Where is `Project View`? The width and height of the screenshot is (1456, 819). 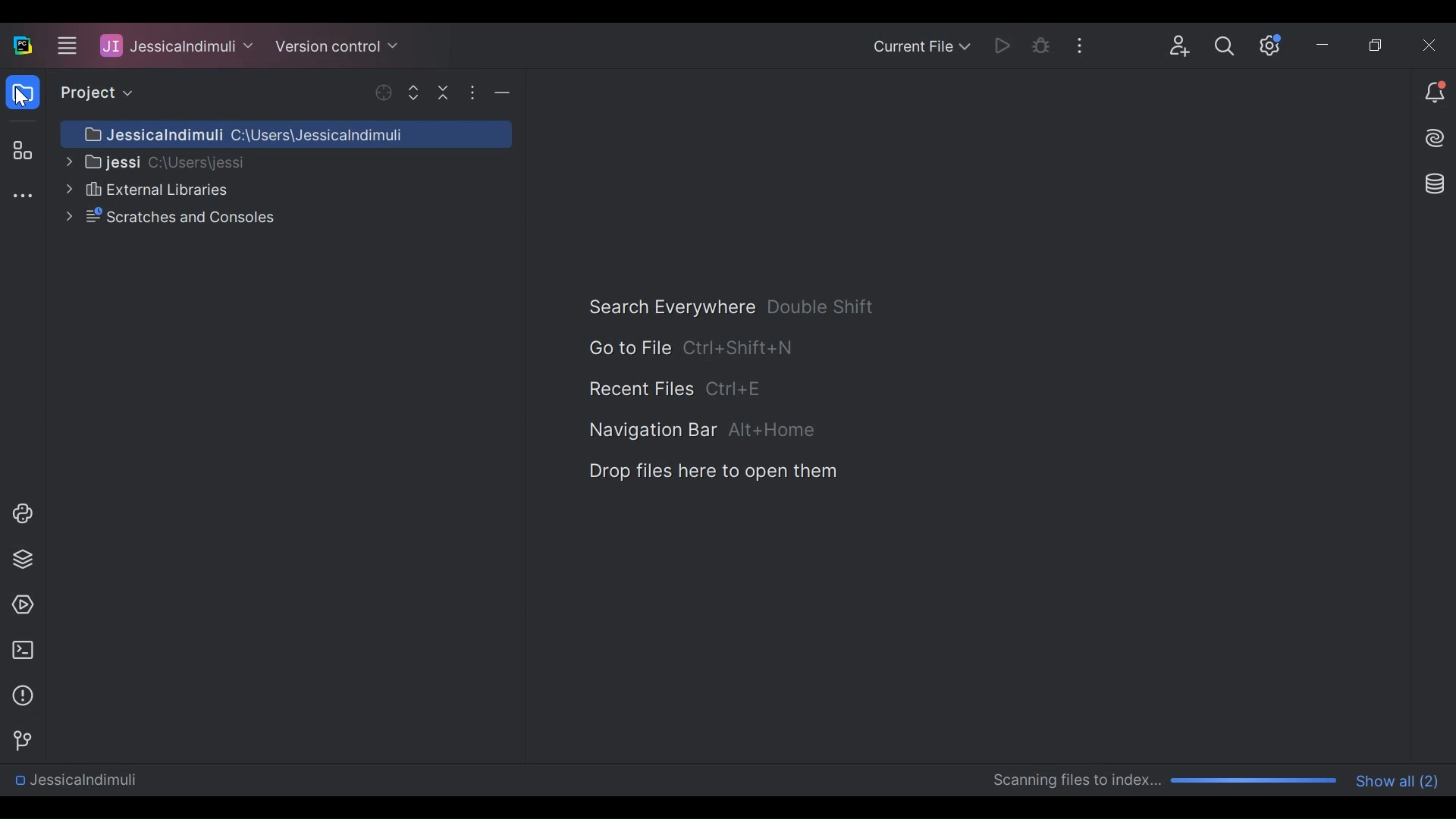 Project View is located at coordinates (22, 94).